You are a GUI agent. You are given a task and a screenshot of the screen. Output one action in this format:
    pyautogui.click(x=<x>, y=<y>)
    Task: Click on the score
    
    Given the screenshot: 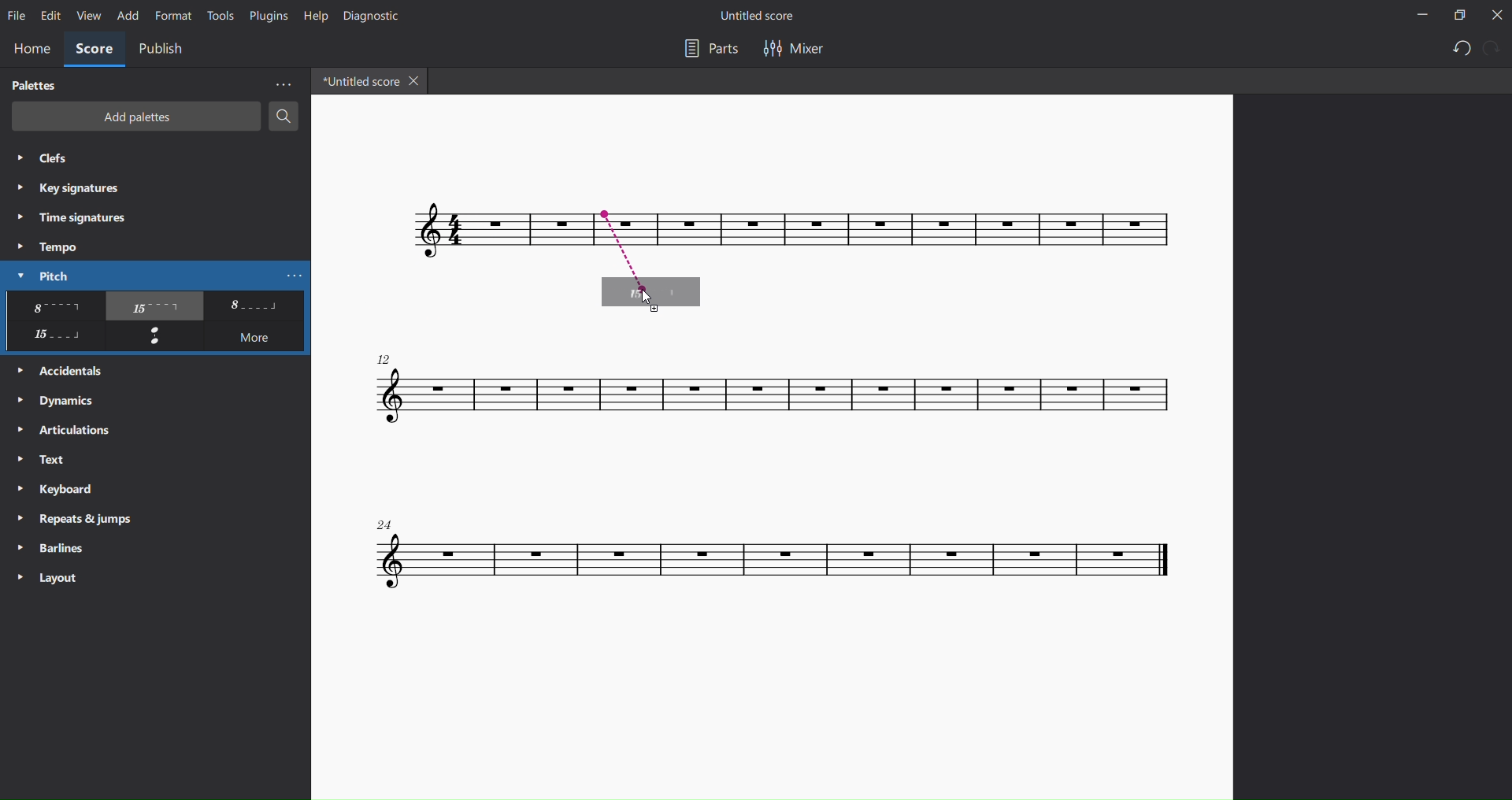 What is the action you would take?
    pyautogui.click(x=773, y=554)
    